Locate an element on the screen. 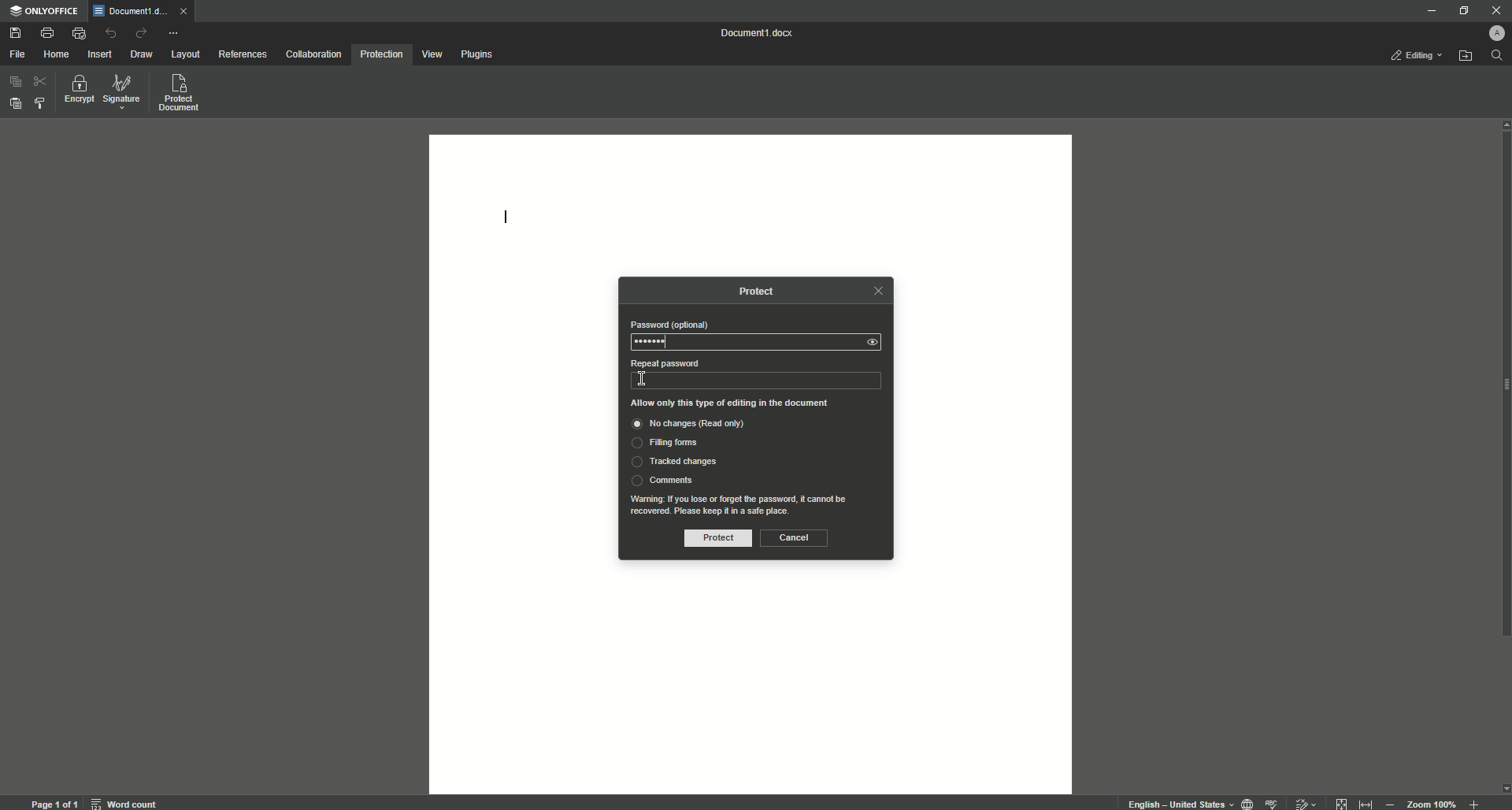 The height and width of the screenshot is (810, 1512). Restore is located at coordinates (1461, 10).